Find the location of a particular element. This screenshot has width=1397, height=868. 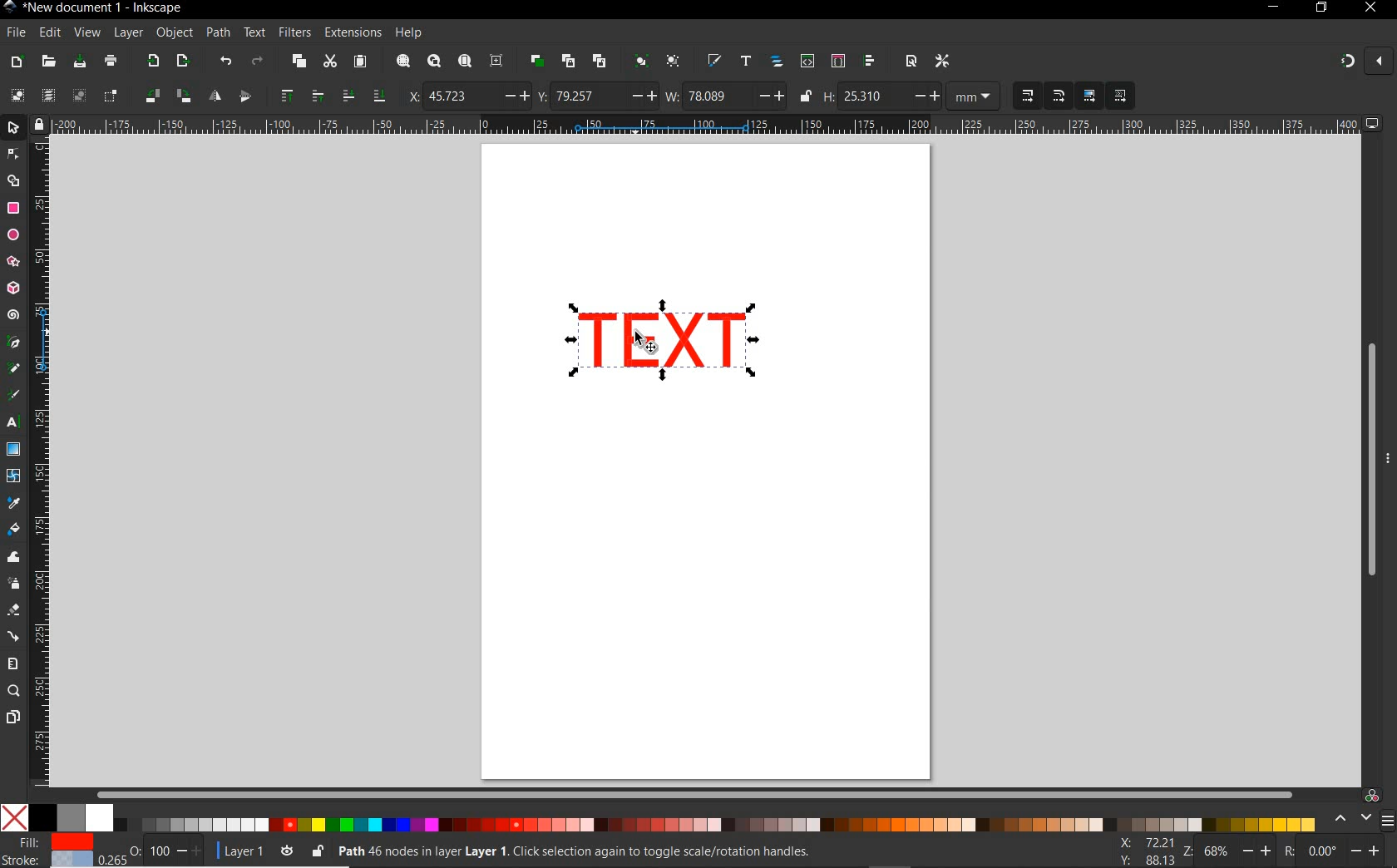

ZOOM PAGE is located at coordinates (464, 62).